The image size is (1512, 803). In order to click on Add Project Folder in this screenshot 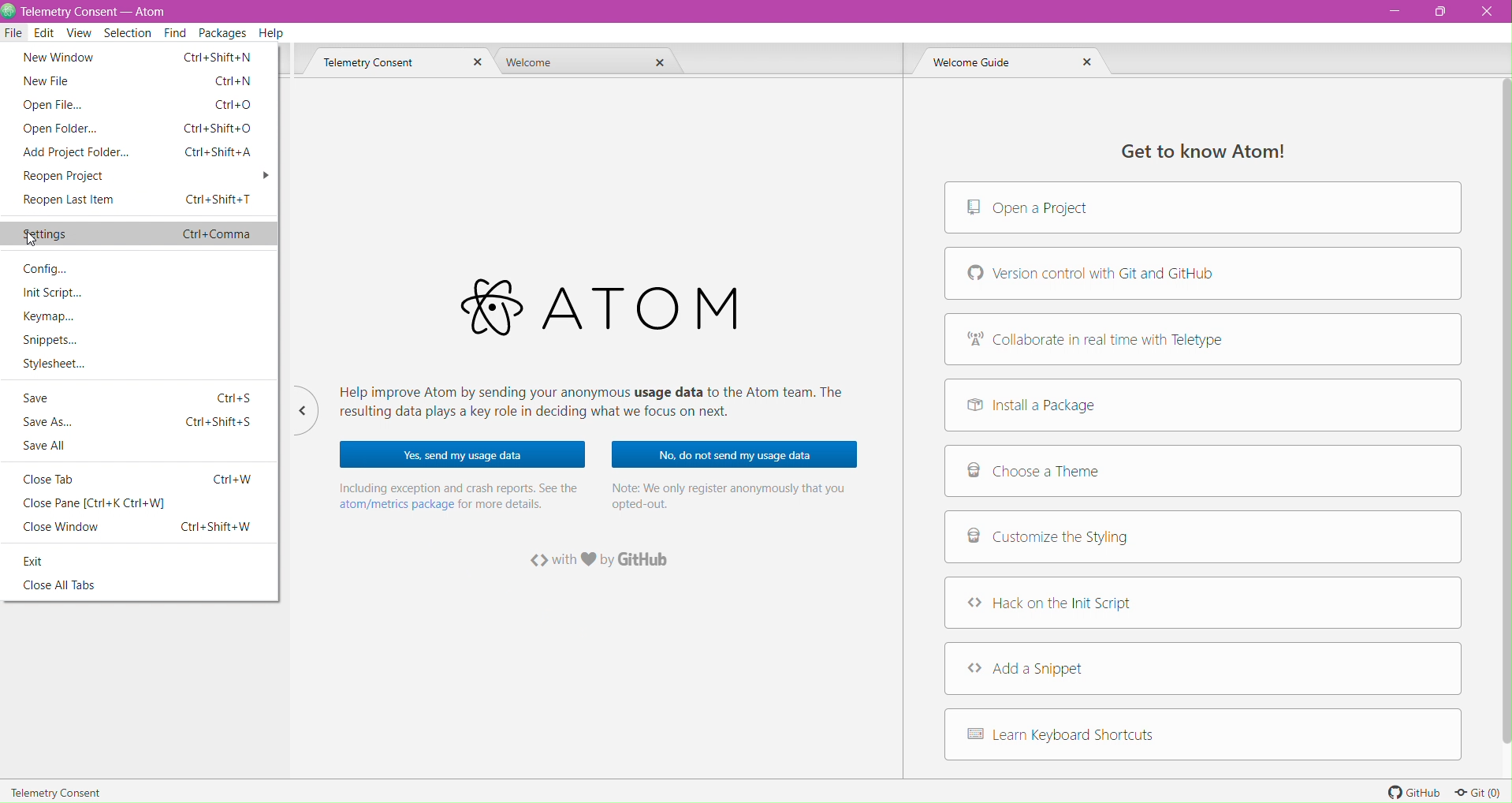, I will do `click(140, 151)`.